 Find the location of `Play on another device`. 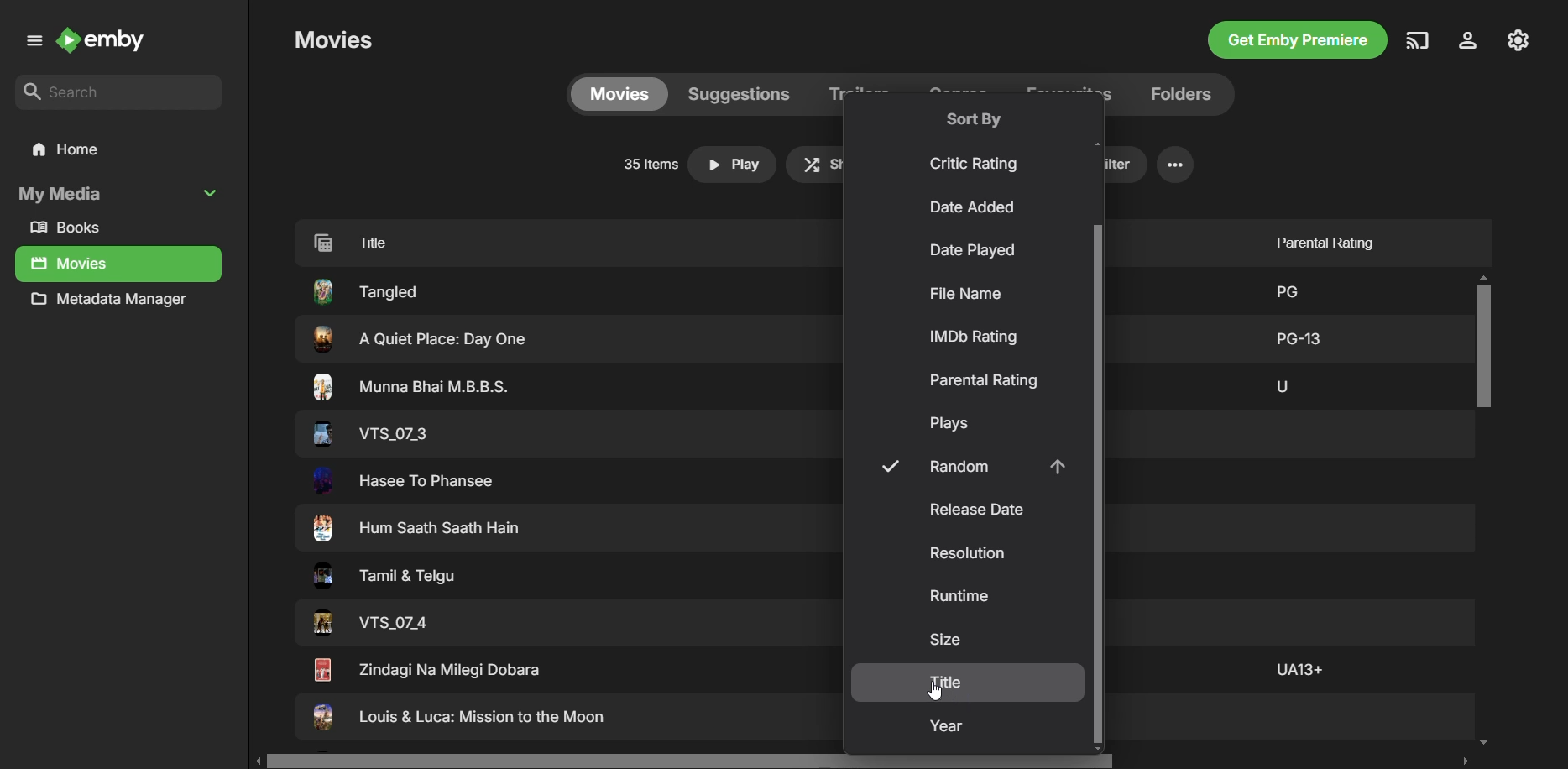

Play on another device is located at coordinates (1418, 40).